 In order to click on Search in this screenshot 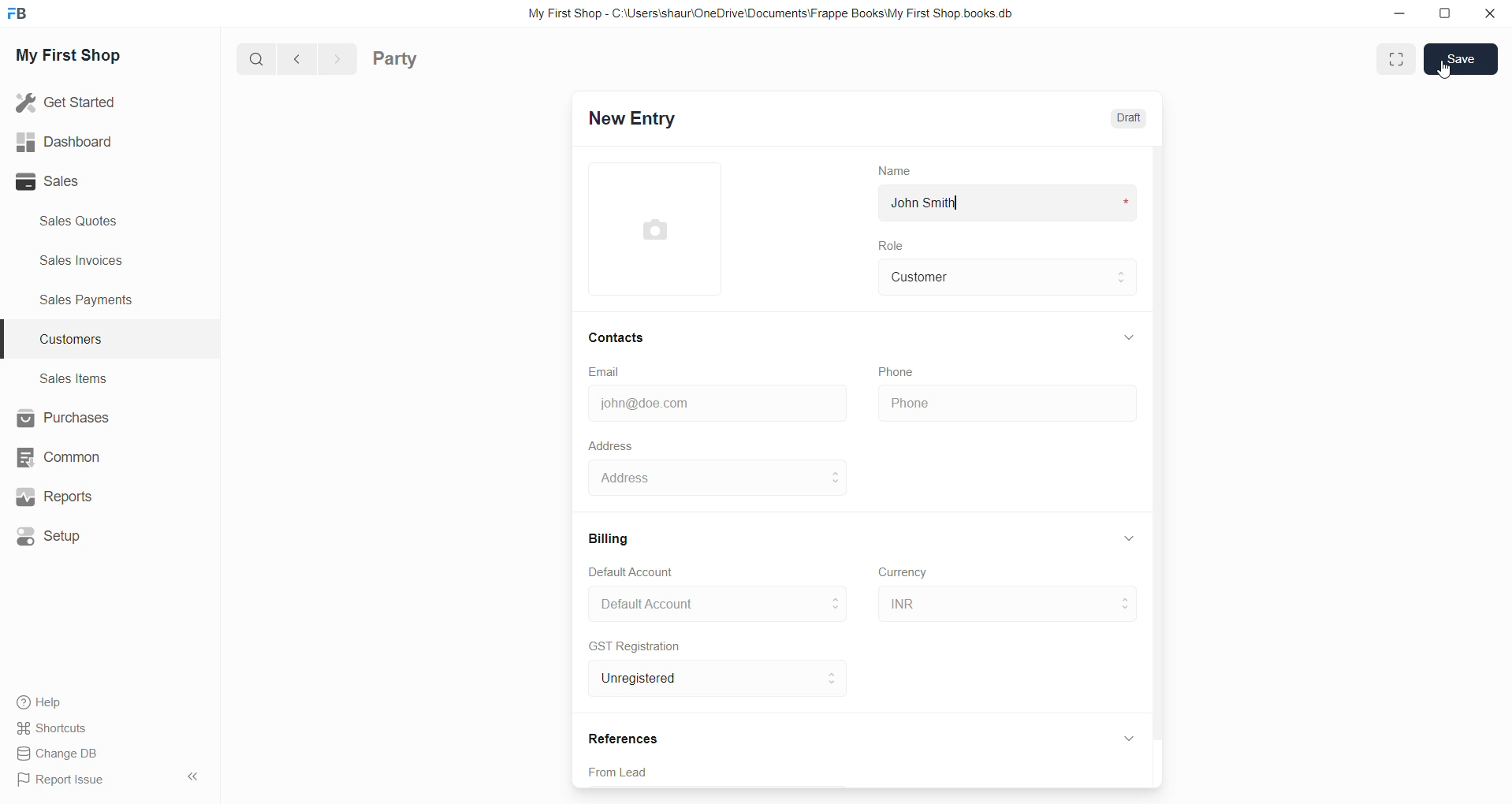, I will do `click(256, 61)`.